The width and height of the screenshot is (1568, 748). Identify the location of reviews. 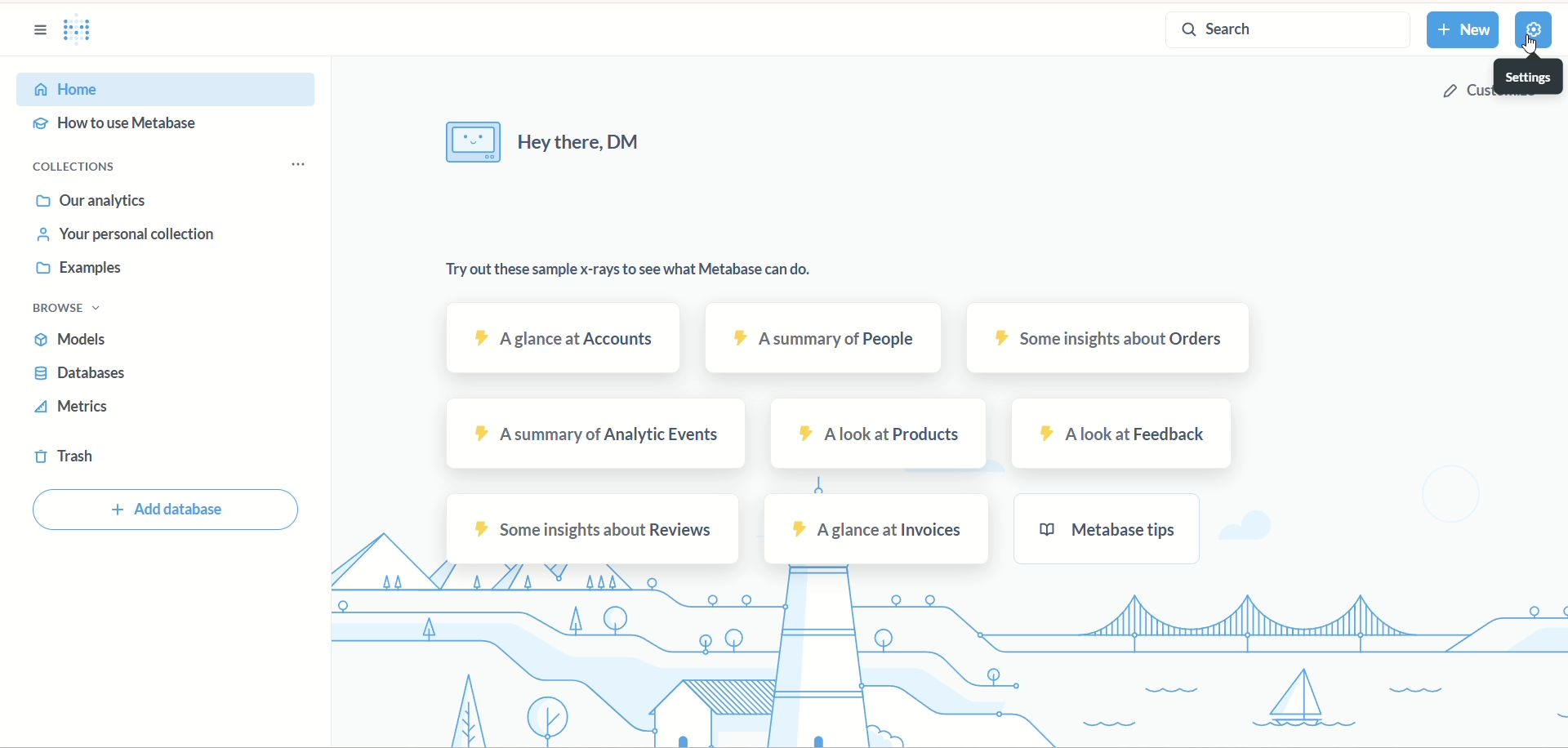
(592, 530).